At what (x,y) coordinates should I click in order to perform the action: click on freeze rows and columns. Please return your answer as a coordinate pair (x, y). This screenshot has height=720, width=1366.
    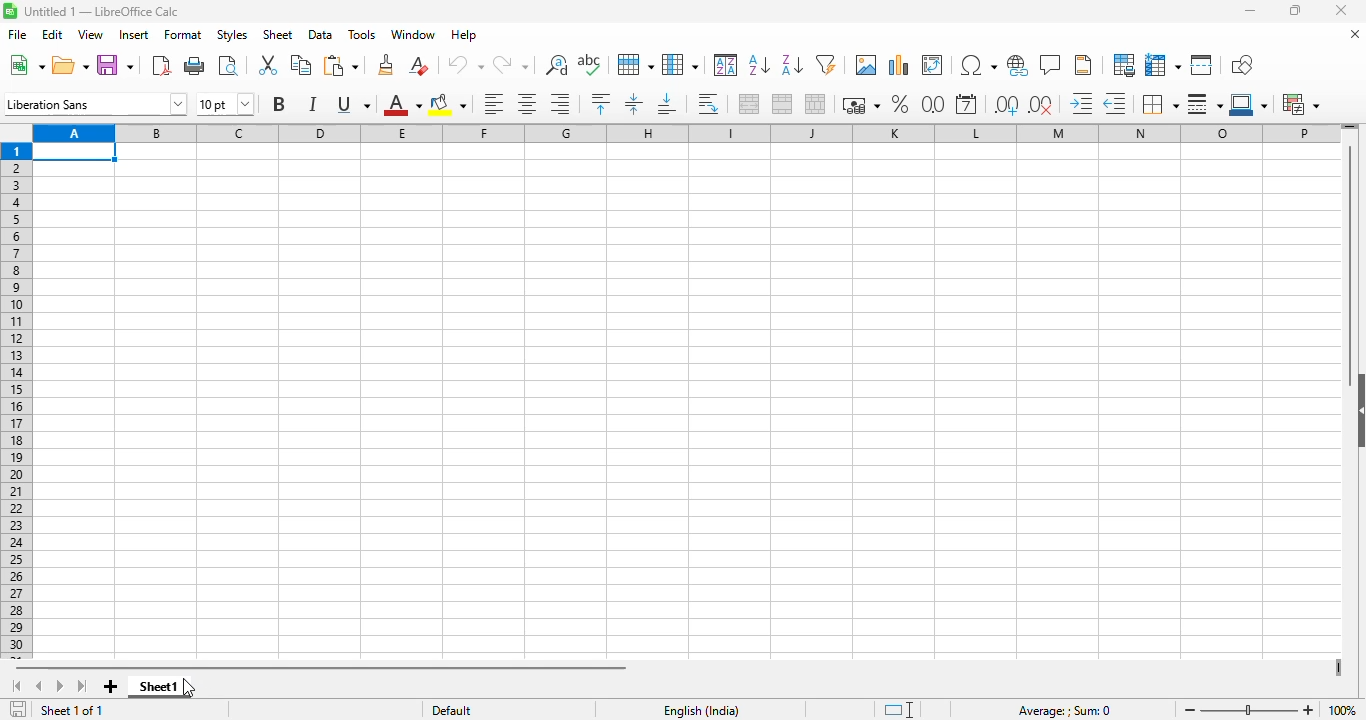
    Looking at the image, I should click on (1163, 64).